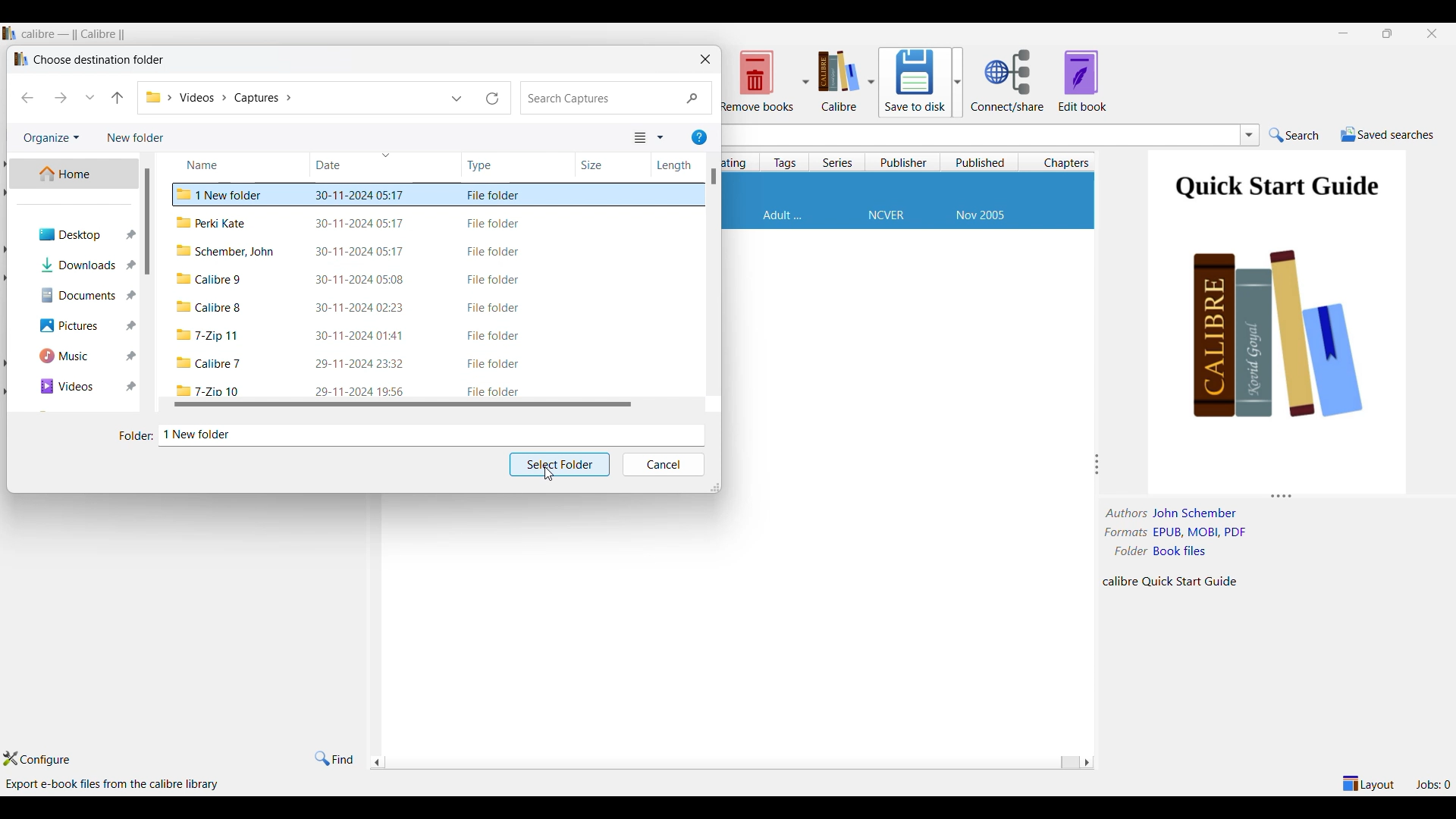 This screenshot has height=819, width=1456. I want to click on Tags column, so click(785, 162).